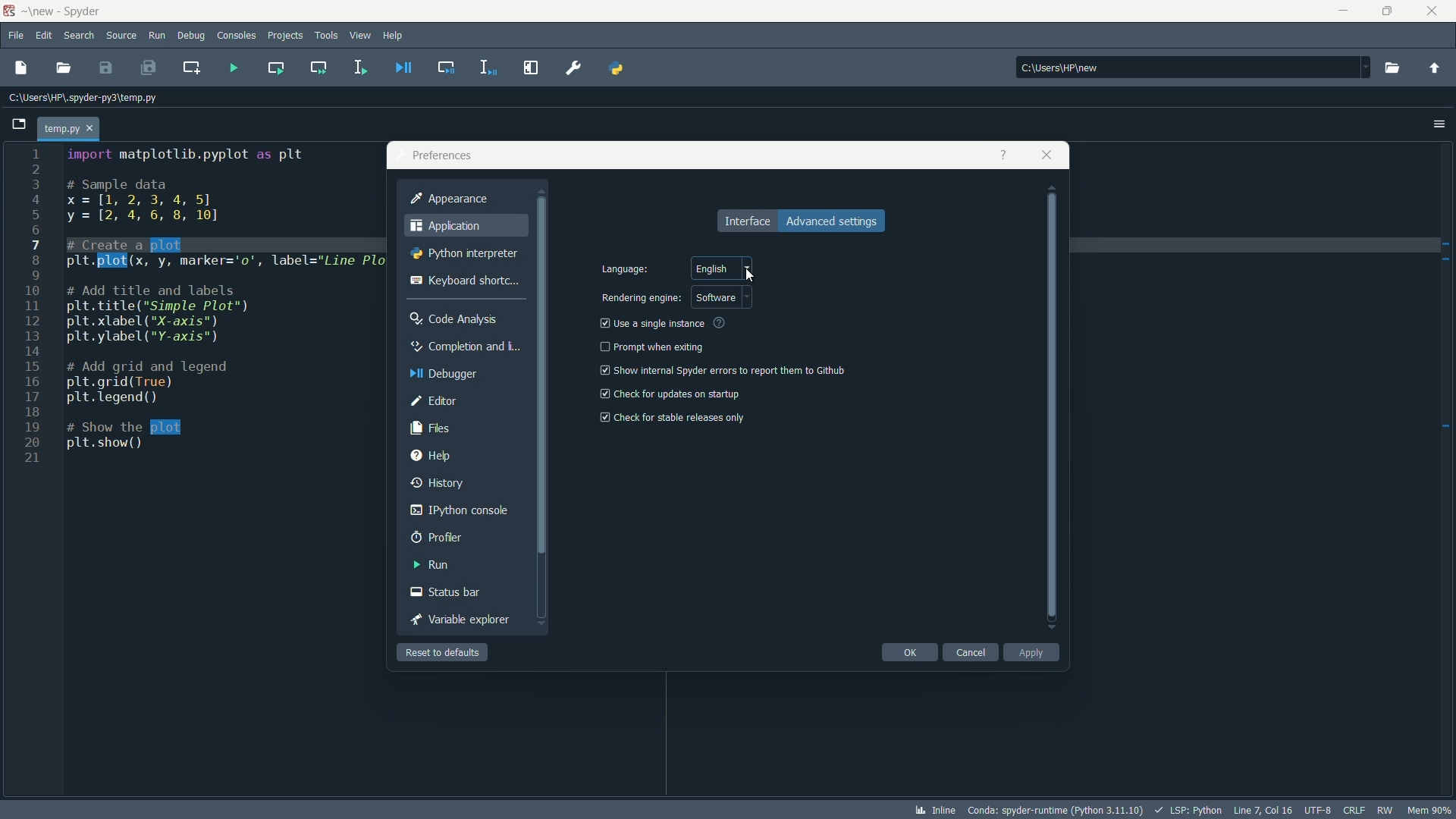  What do you see at coordinates (430, 428) in the screenshot?
I see `files` at bounding box center [430, 428].